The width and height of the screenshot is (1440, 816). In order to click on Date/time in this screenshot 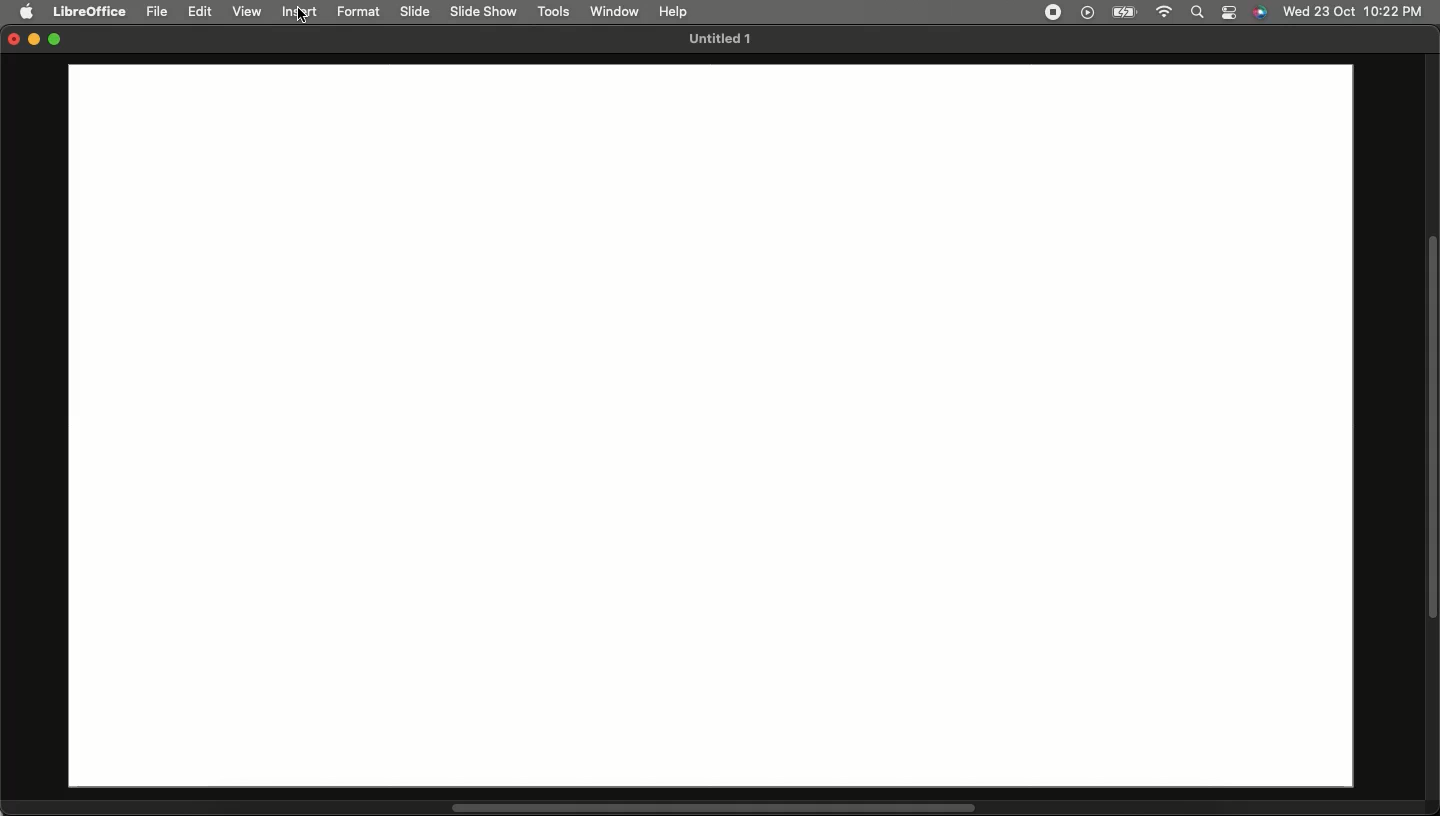, I will do `click(1353, 11)`.